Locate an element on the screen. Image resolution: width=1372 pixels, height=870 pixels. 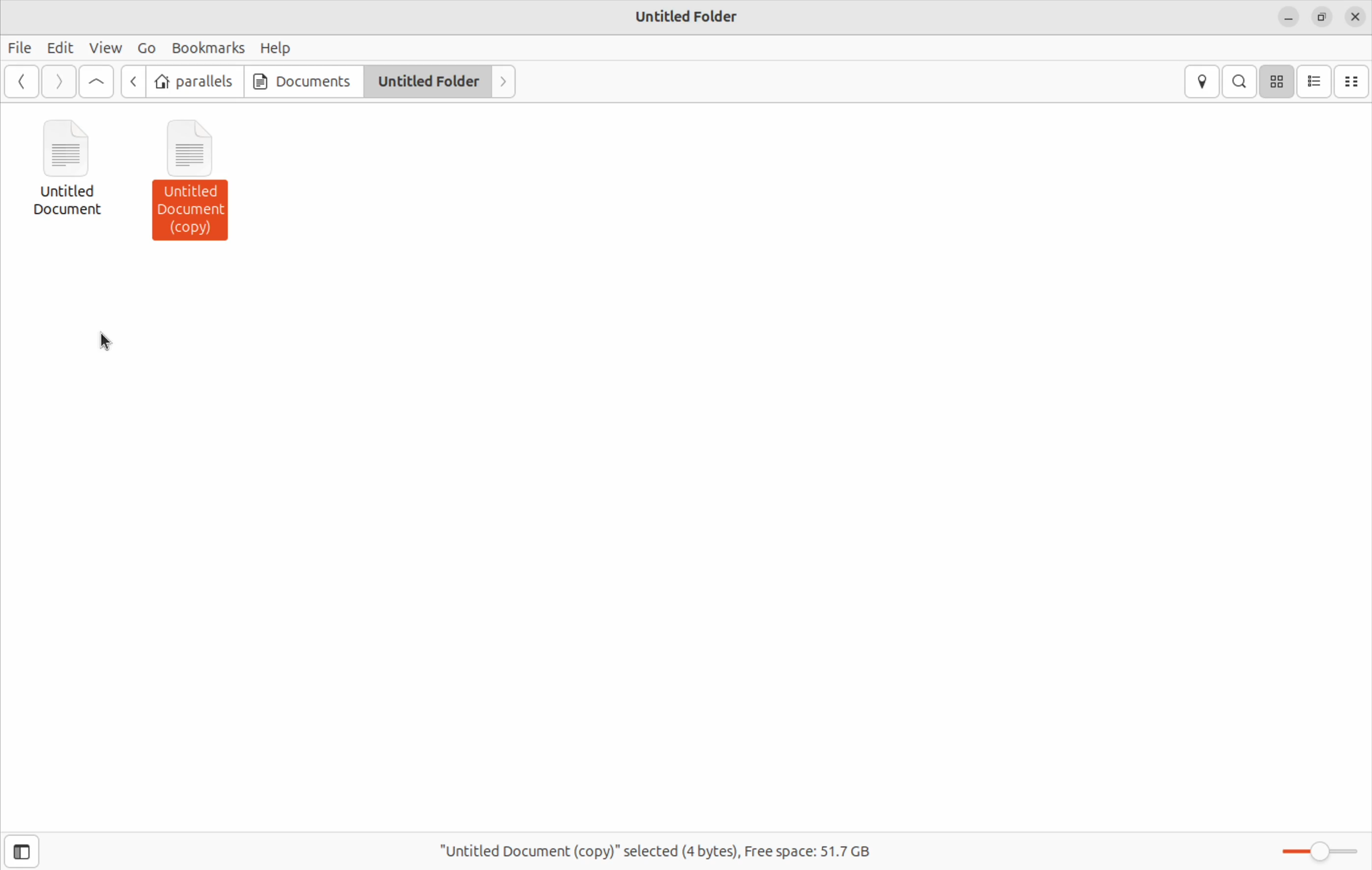
Untitled Document(copy) is located at coordinates (202, 185).